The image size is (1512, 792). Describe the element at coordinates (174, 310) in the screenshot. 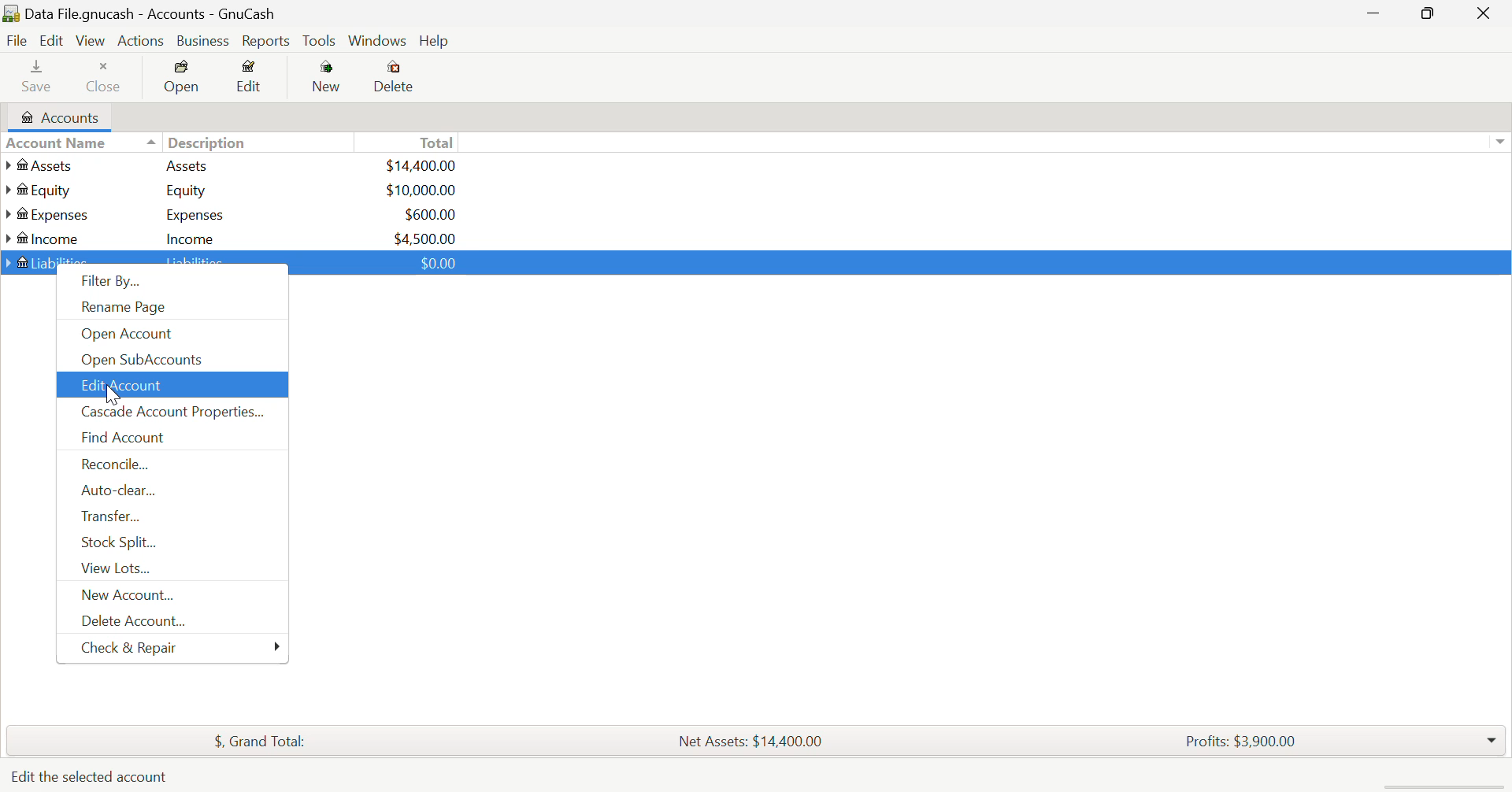

I see `Rename Page` at that location.